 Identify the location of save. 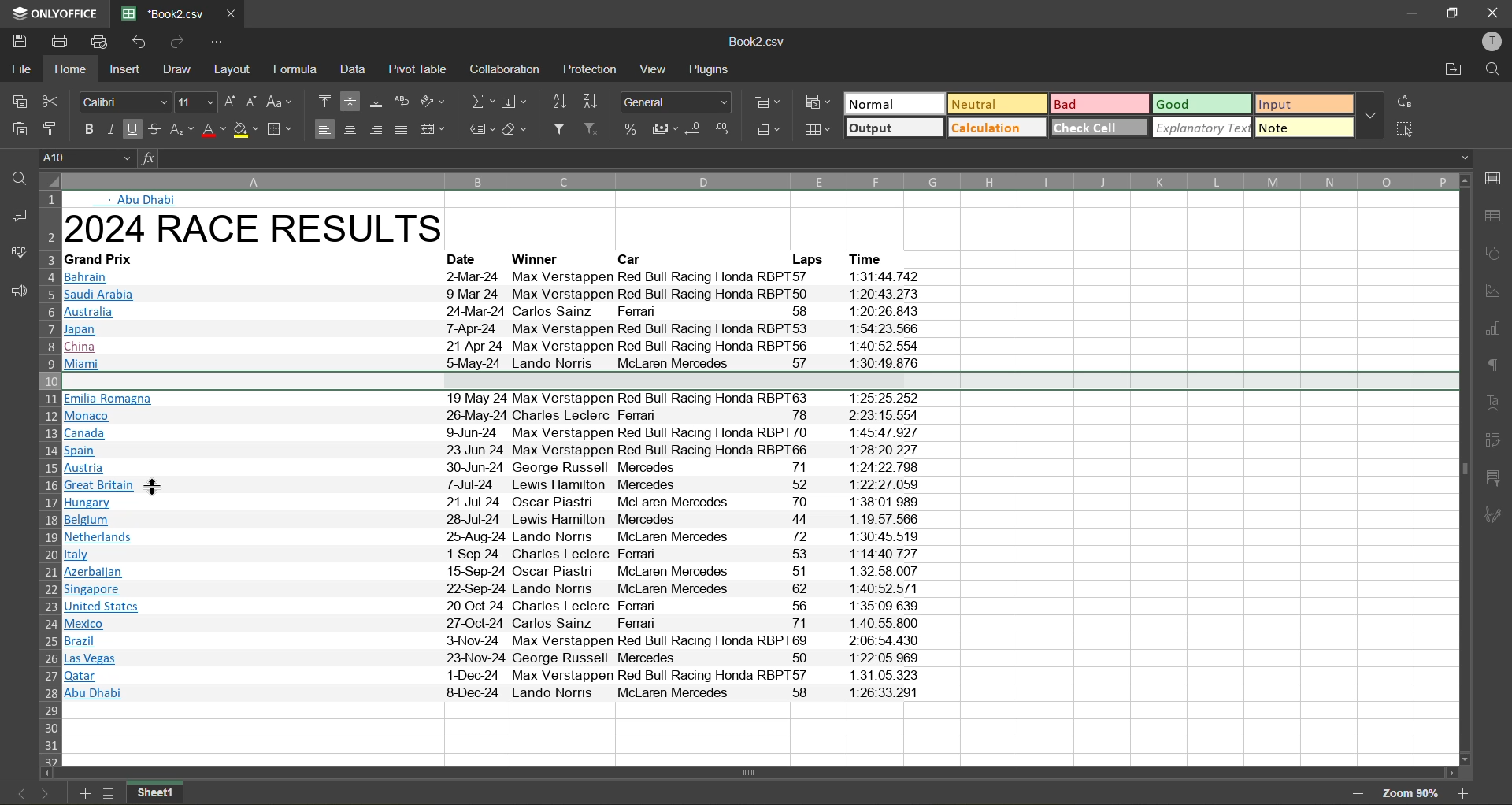
(16, 41).